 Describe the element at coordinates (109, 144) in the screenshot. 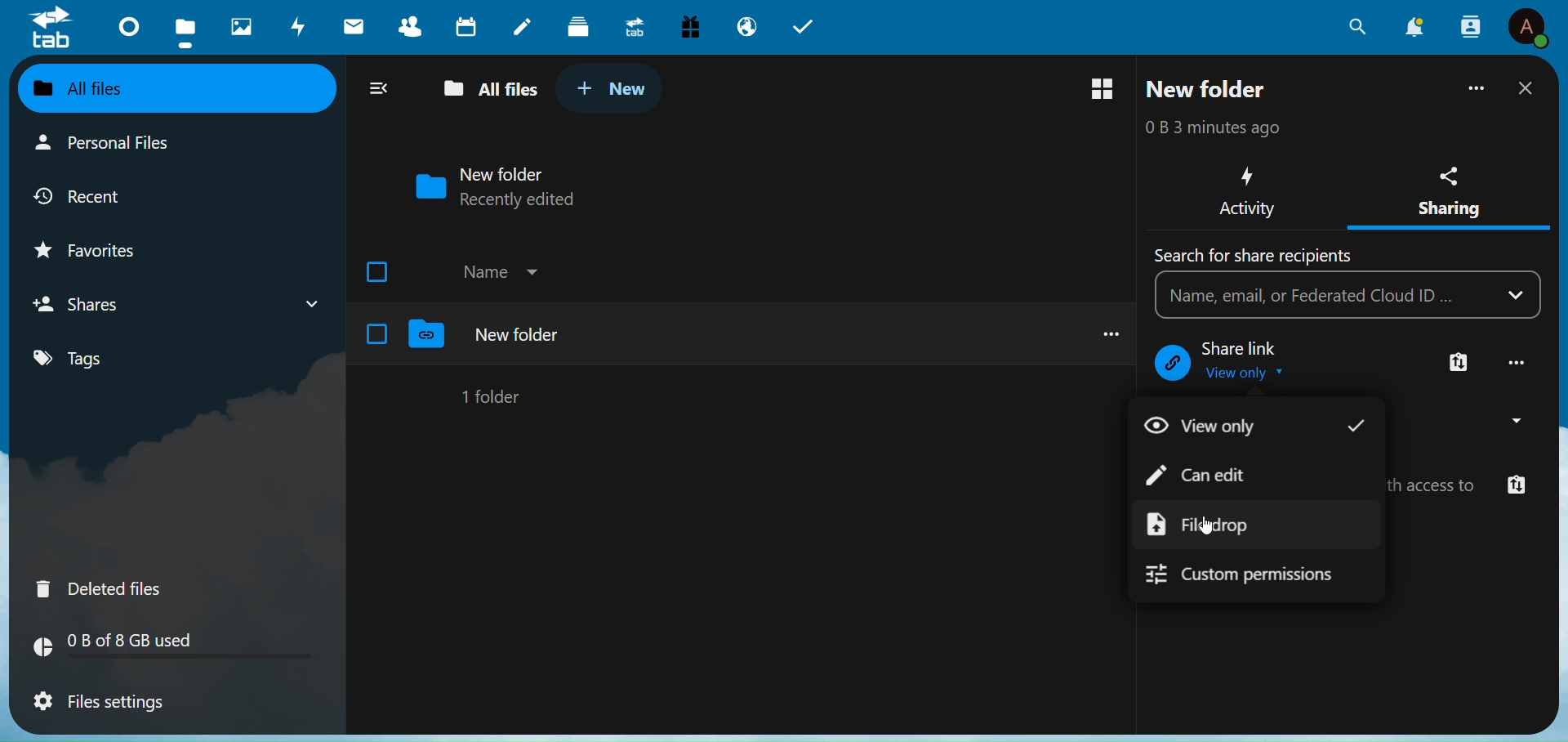

I see `Personal Files` at that location.